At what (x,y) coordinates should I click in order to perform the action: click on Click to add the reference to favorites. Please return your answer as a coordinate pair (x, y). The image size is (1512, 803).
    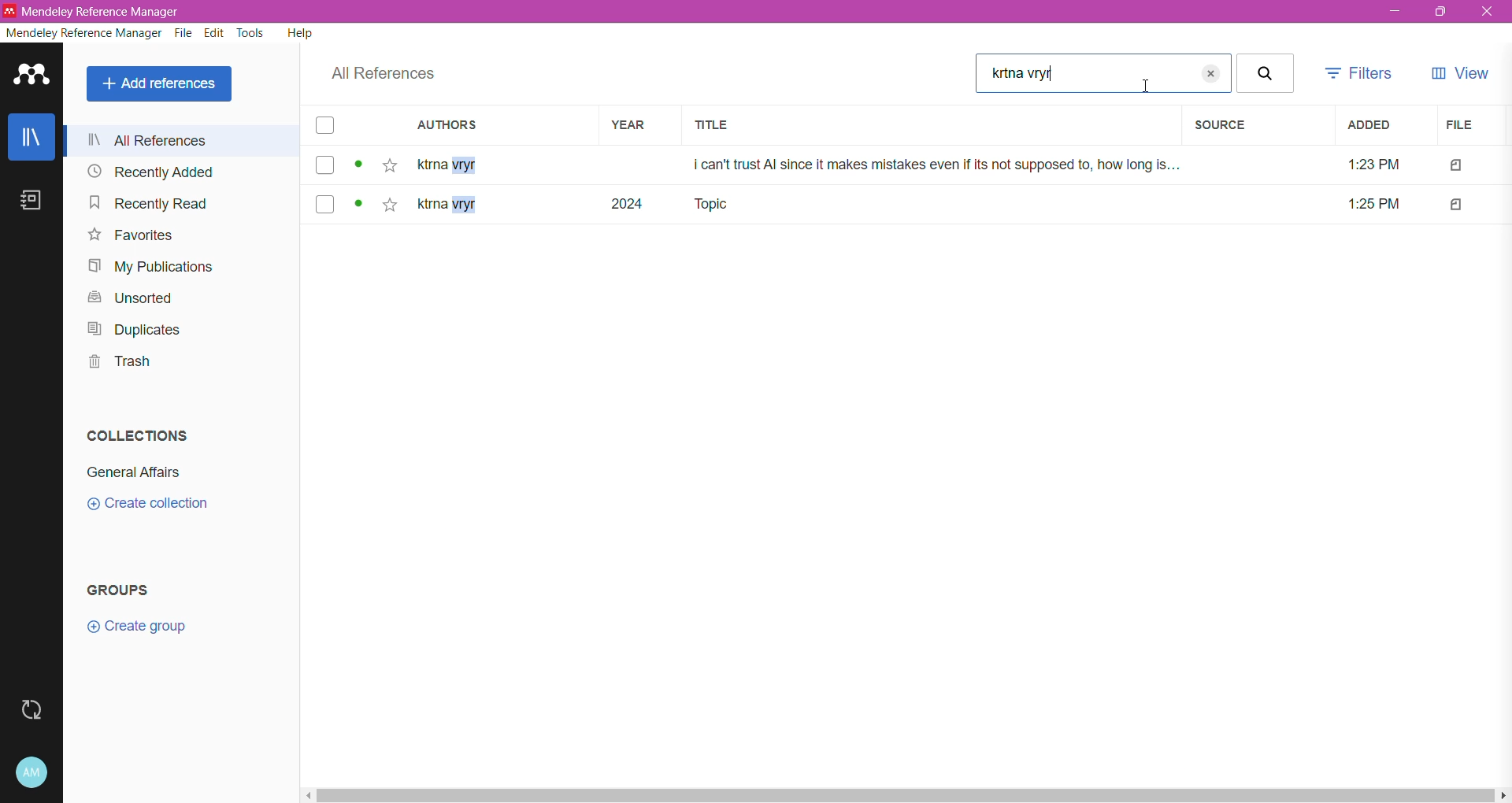
    Looking at the image, I should click on (390, 167).